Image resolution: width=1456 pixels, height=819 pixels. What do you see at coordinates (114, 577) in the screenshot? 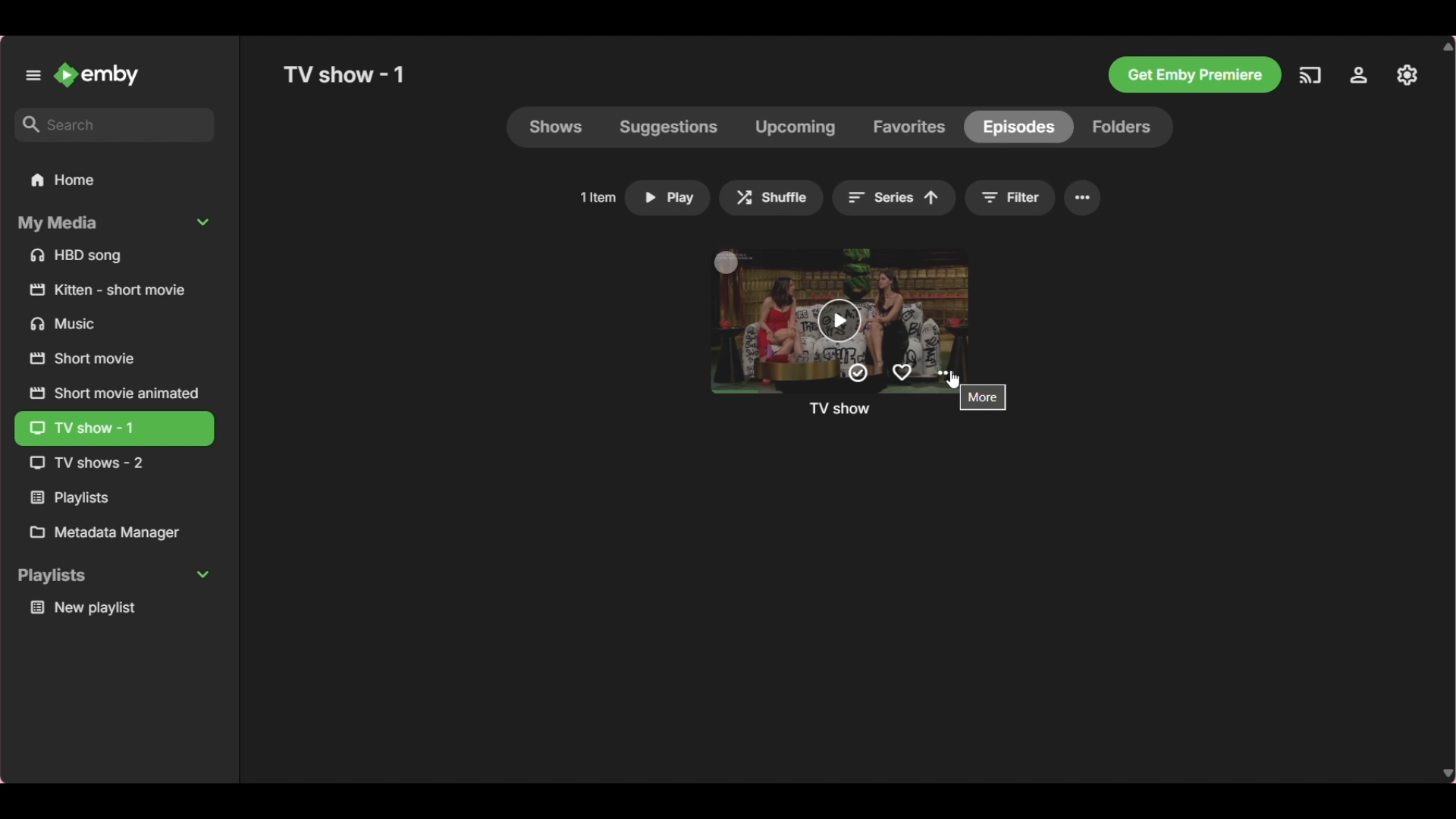
I see `Collapse Playlists` at bounding box center [114, 577].